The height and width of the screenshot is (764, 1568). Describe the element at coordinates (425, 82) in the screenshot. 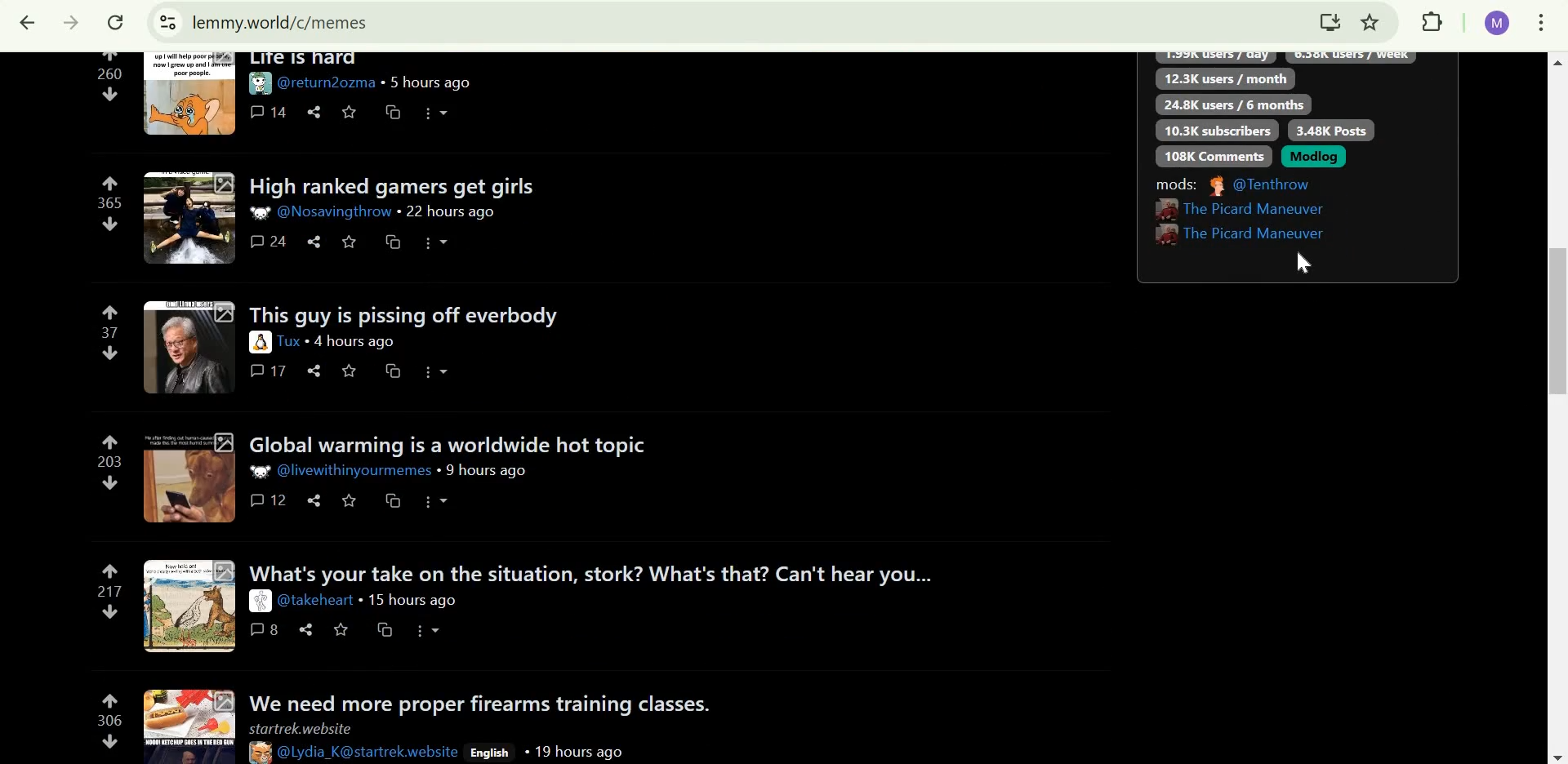

I see `5 hours ago` at that location.